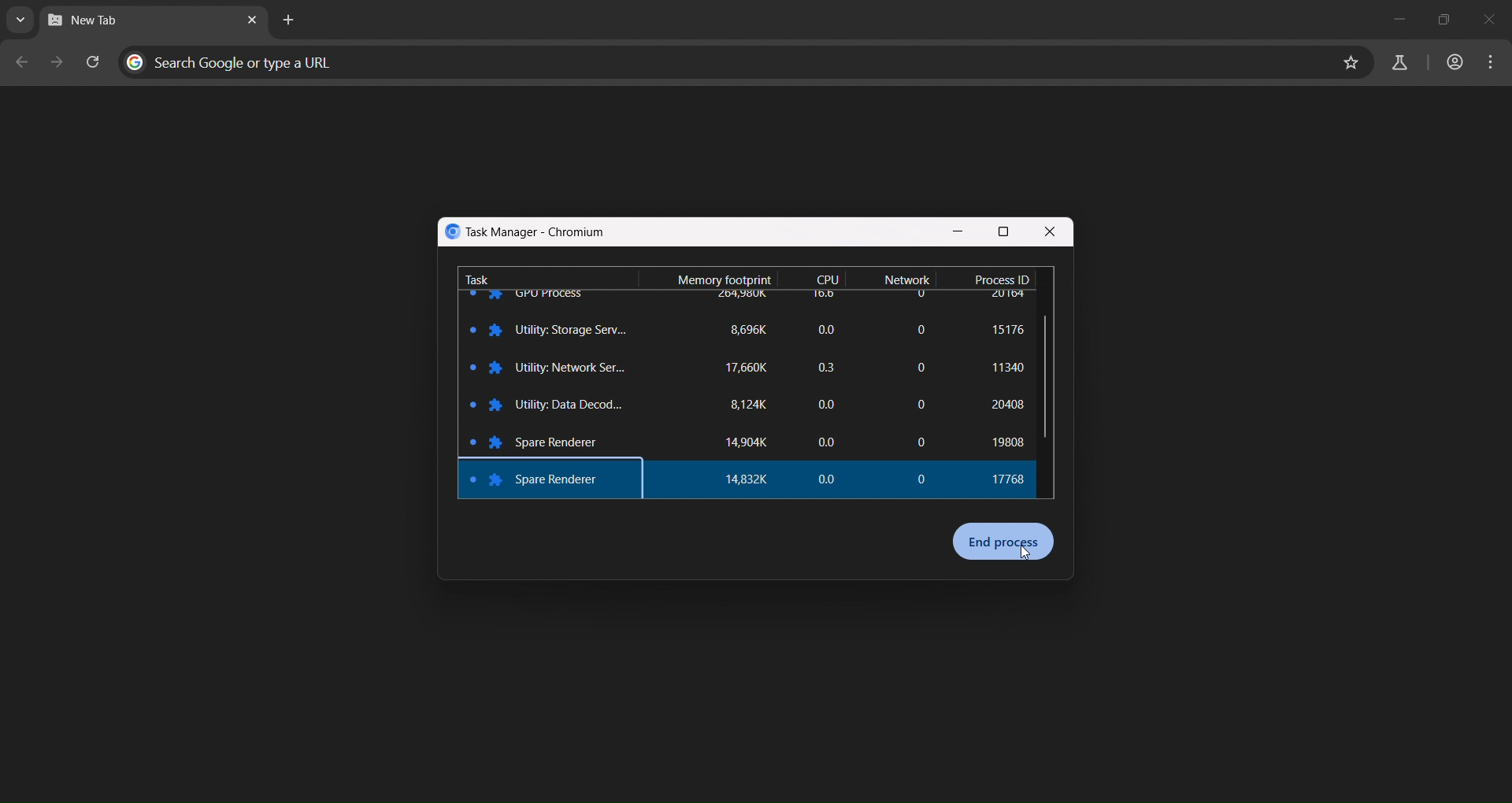 Image resolution: width=1512 pixels, height=803 pixels. What do you see at coordinates (1398, 61) in the screenshot?
I see `search labs` at bounding box center [1398, 61].